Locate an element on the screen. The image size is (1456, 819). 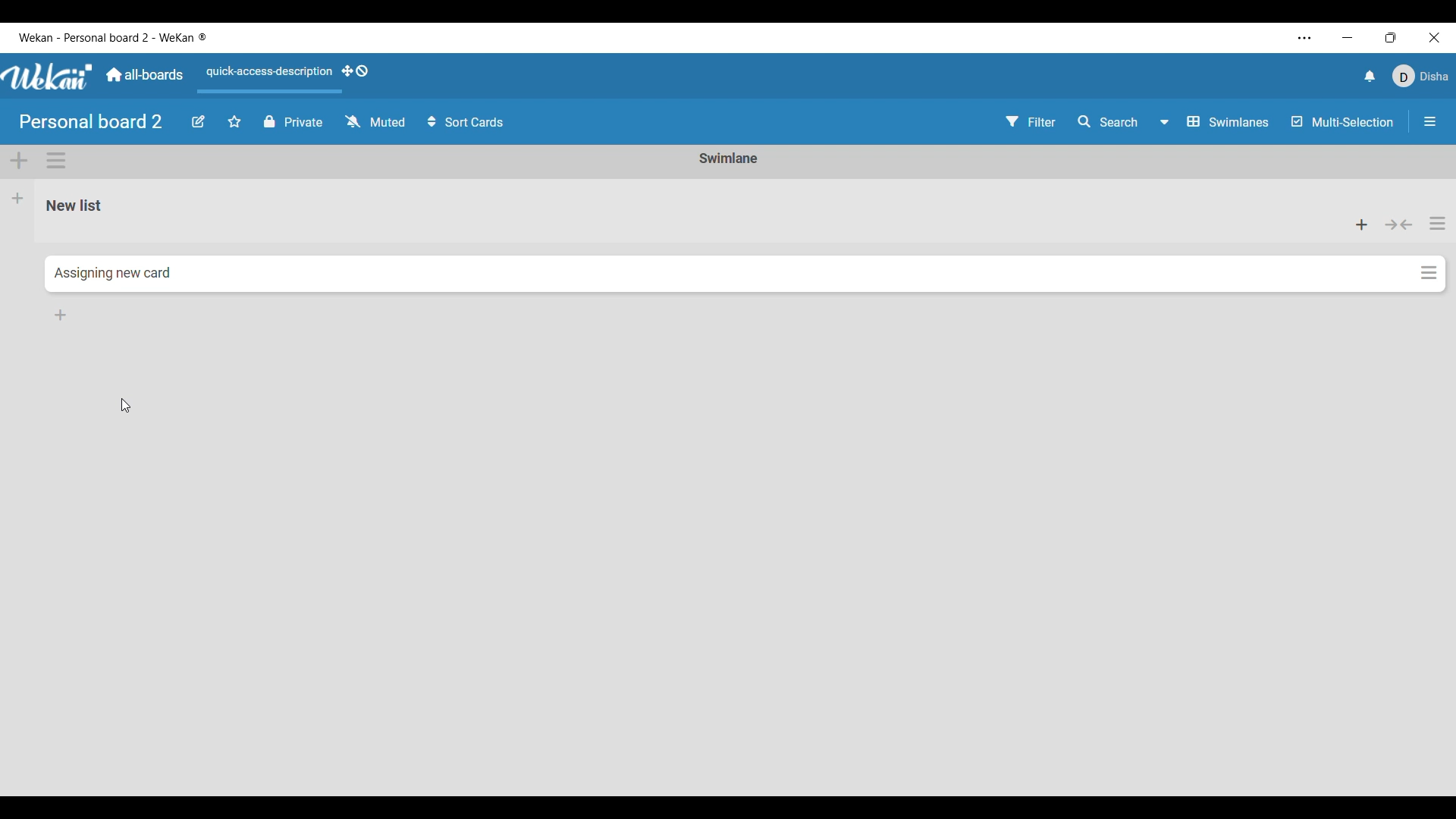
Sort card options is located at coordinates (466, 121).